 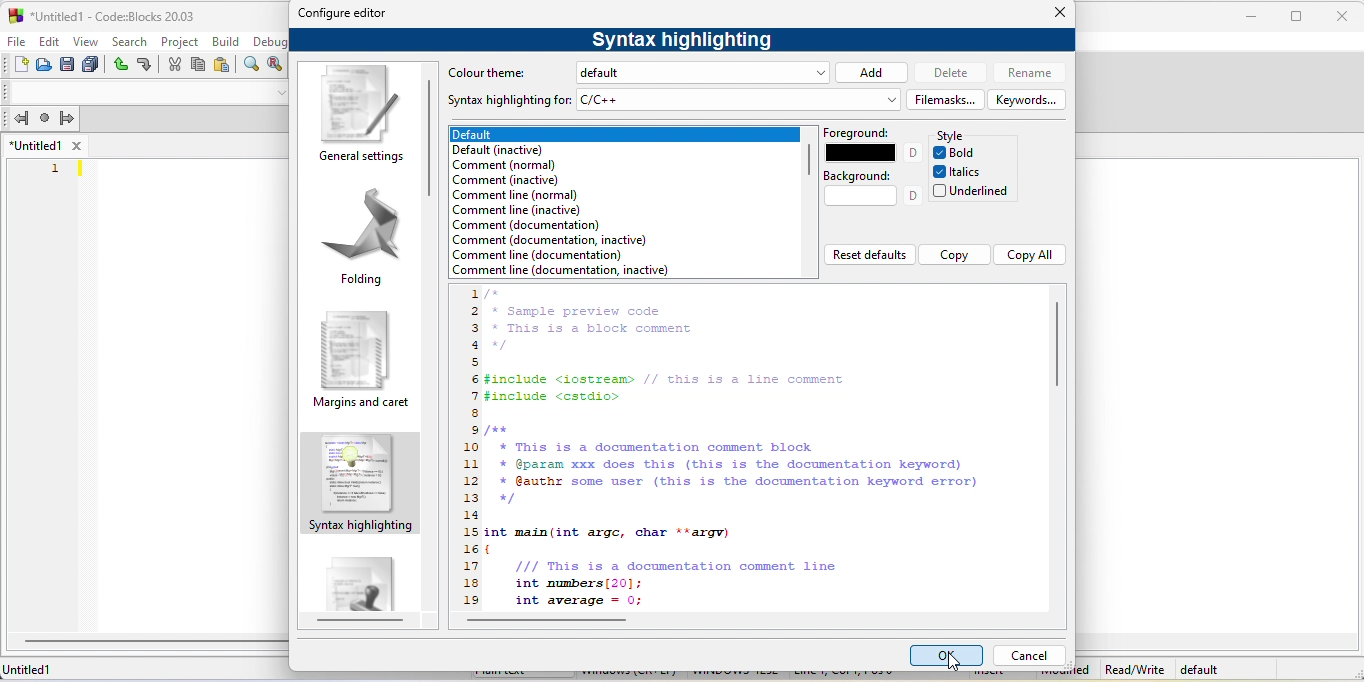 I want to click on copy, so click(x=198, y=64).